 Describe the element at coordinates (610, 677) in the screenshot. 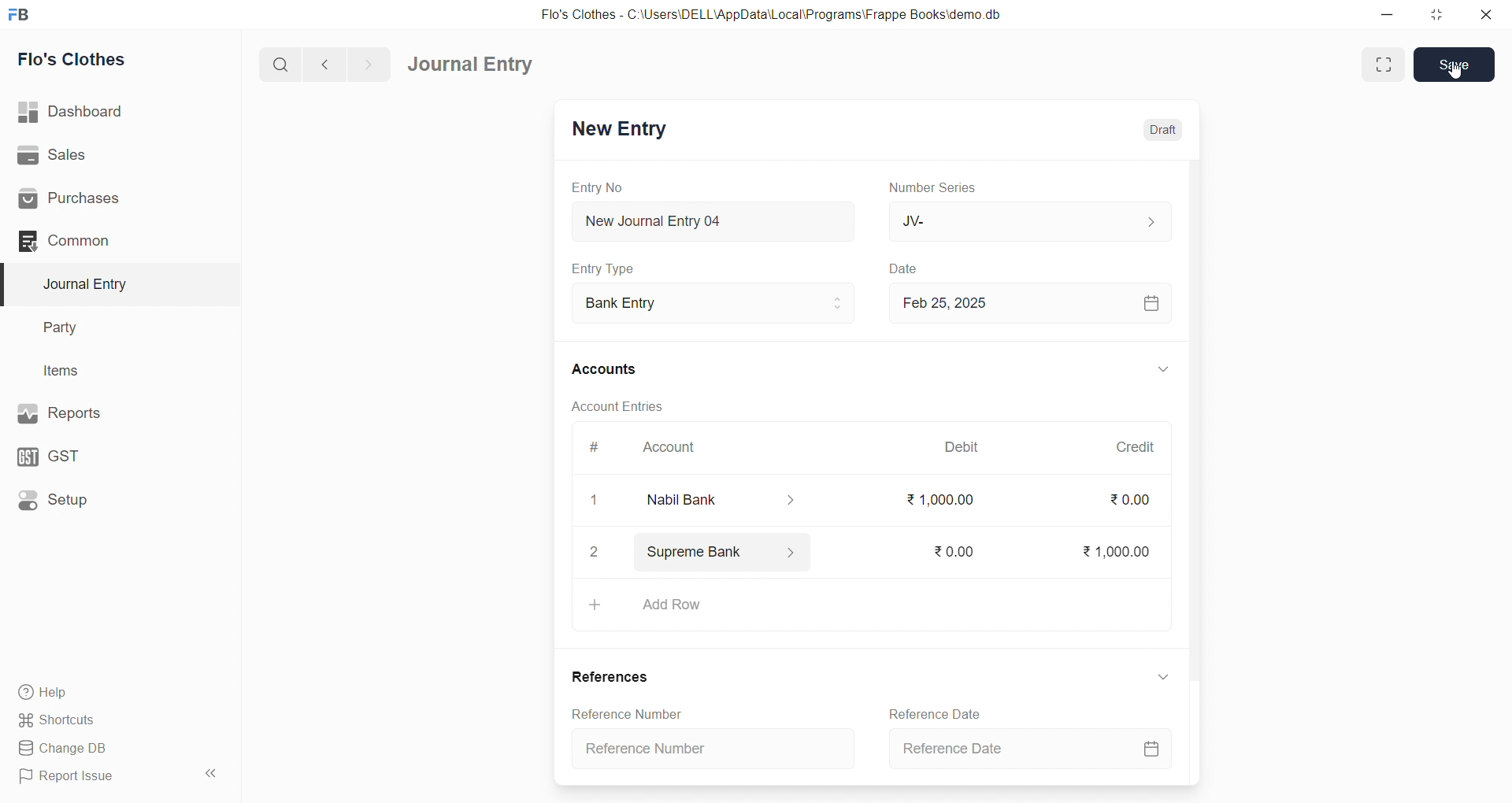

I see `References` at that location.